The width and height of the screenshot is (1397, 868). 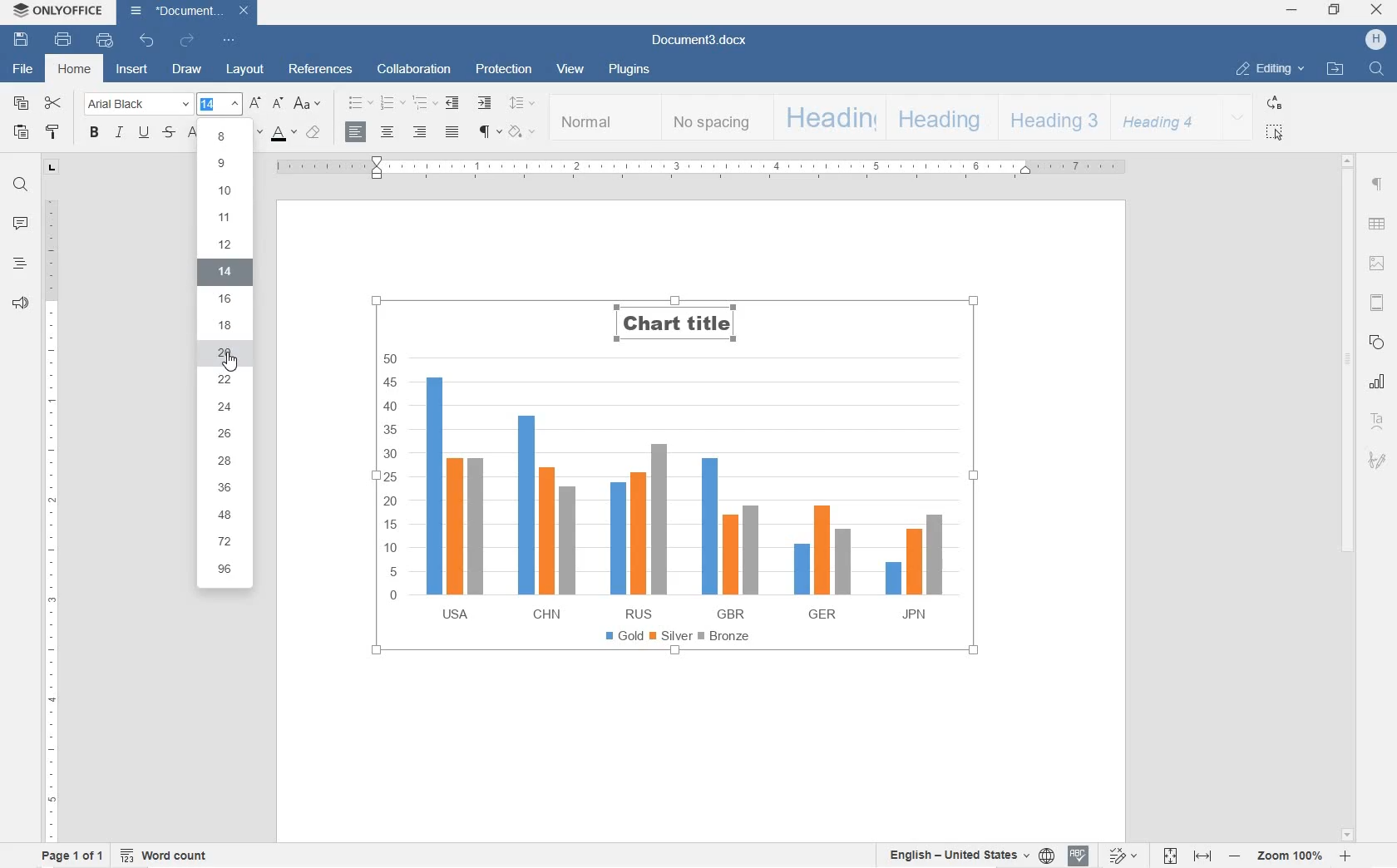 What do you see at coordinates (1375, 382) in the screenshot?
I see `CHART` at bounding box center [1375, 382].